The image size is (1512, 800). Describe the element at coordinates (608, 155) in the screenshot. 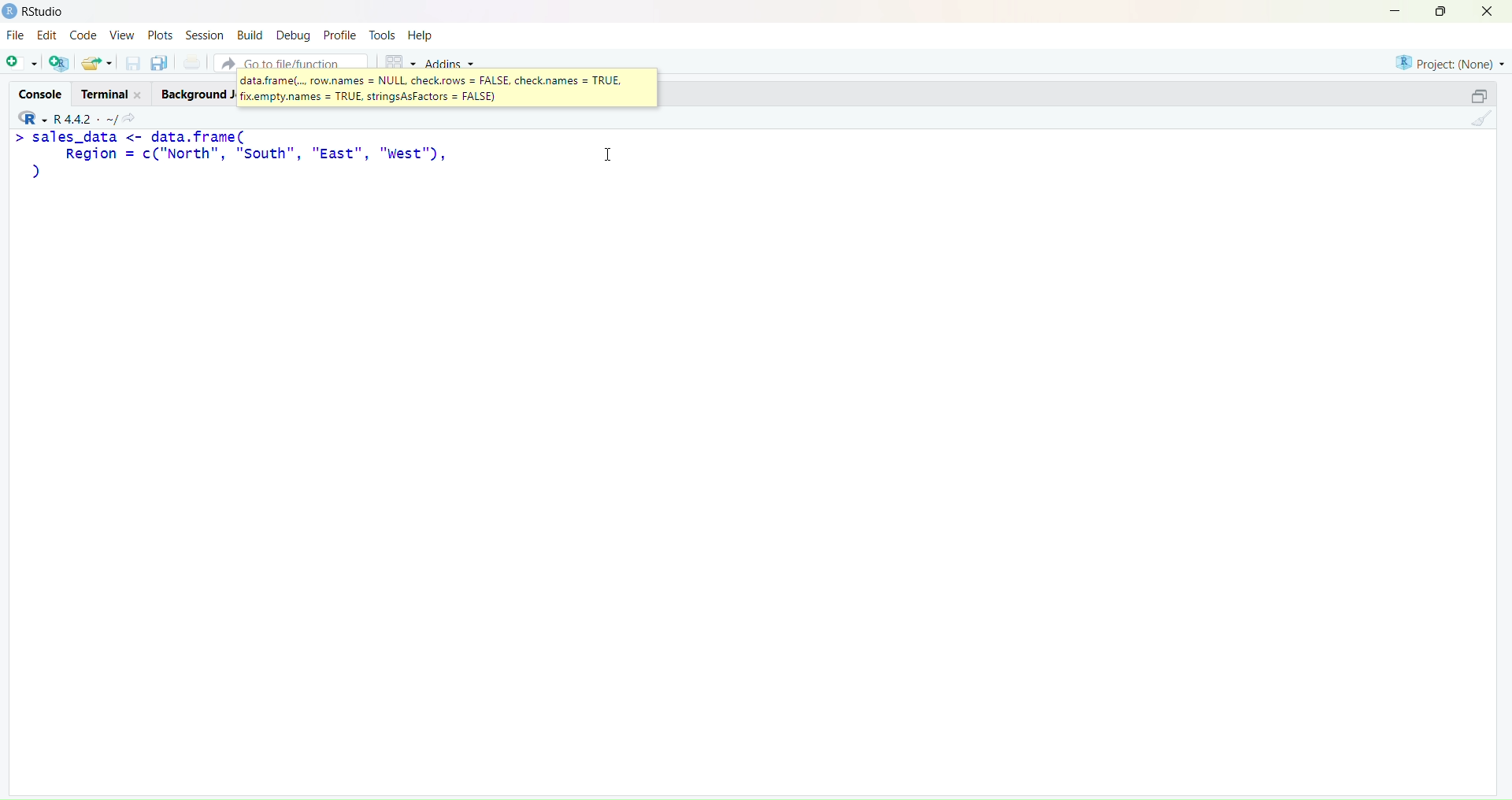

I see `cursor` at that location.